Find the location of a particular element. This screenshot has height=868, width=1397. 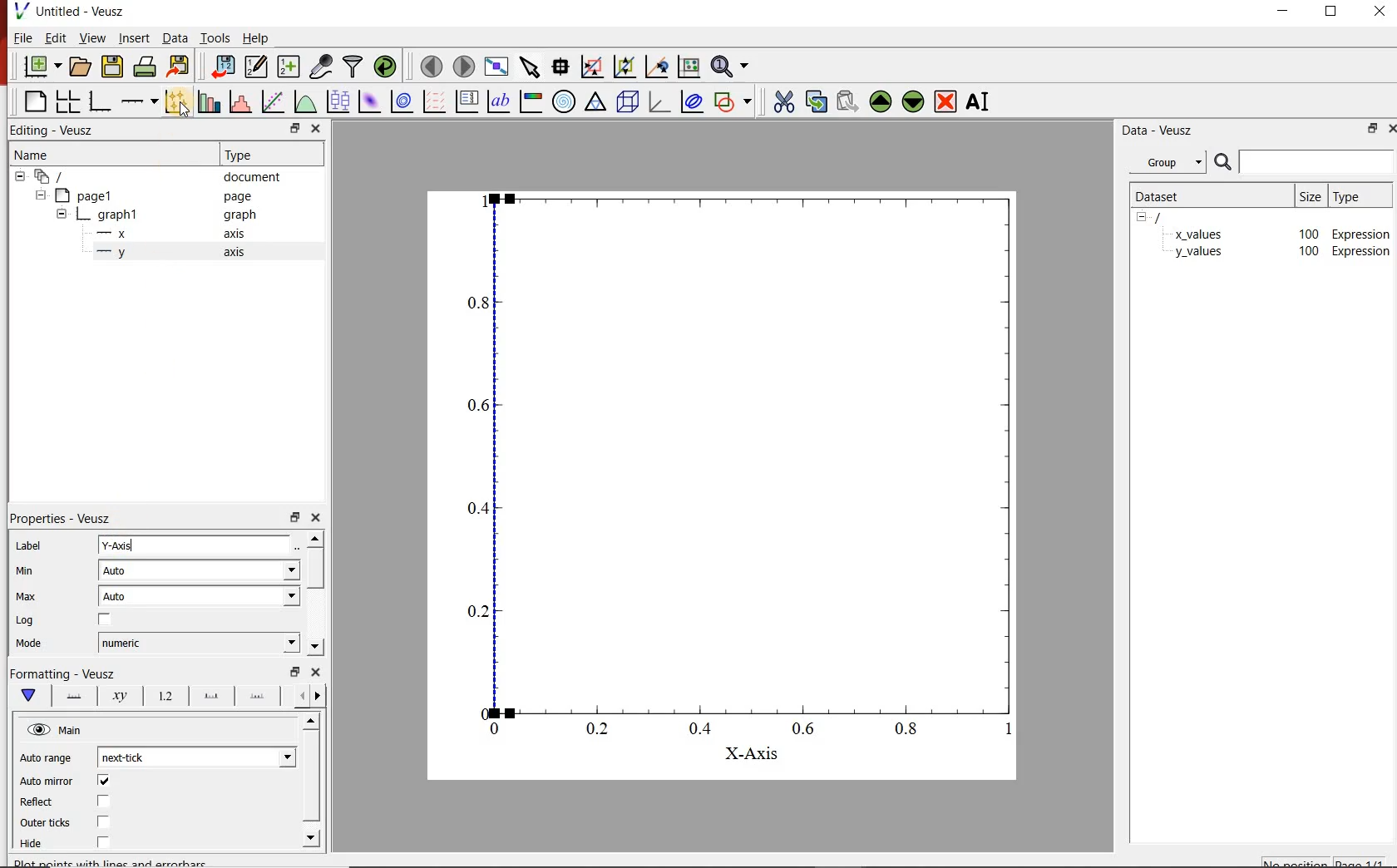

ternary graph is located at coordinates (597, 104).